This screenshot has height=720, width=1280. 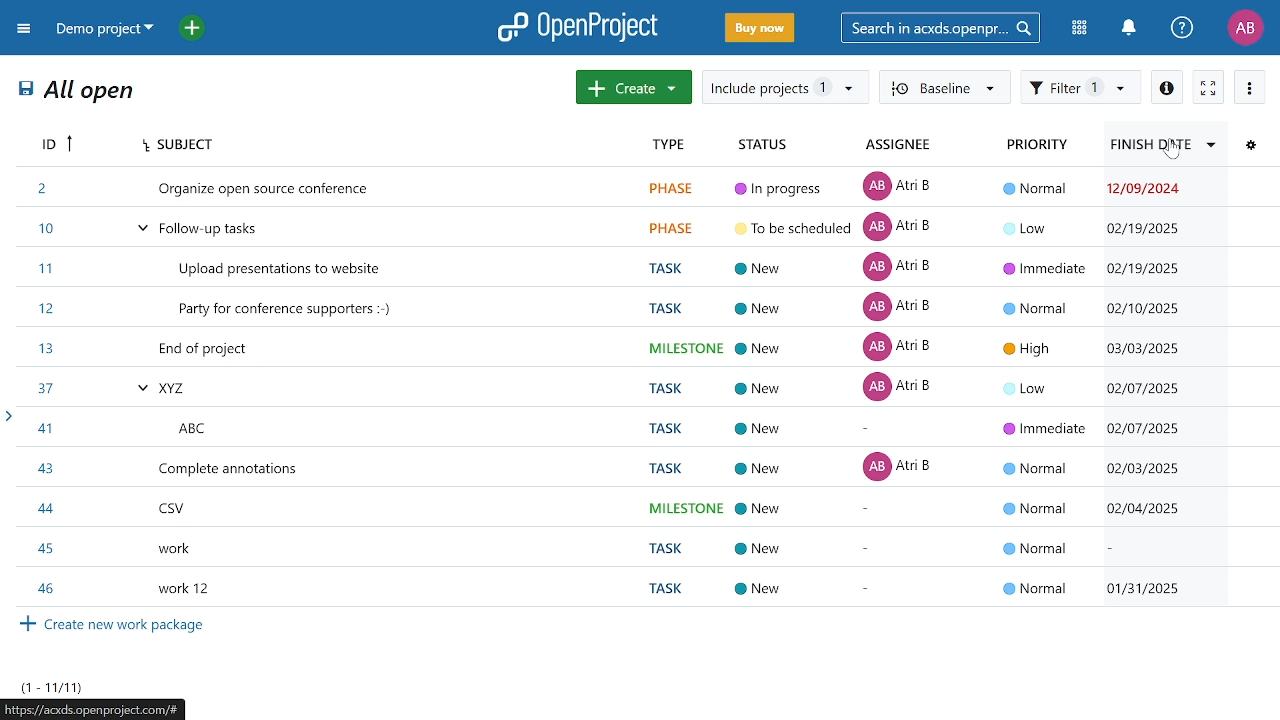 I want to click on task titled "work 12", so click(x=649, y=586).